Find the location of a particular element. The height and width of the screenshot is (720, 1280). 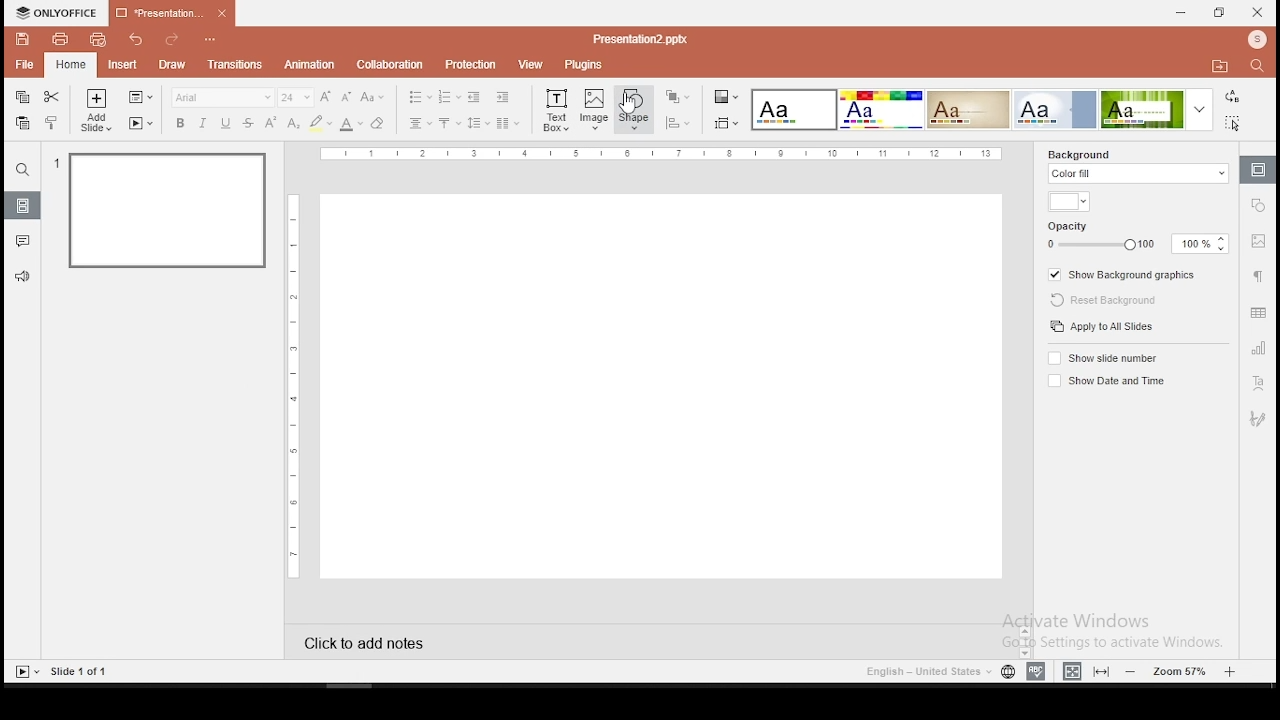

highlight color is located at coordinates (320, 124).